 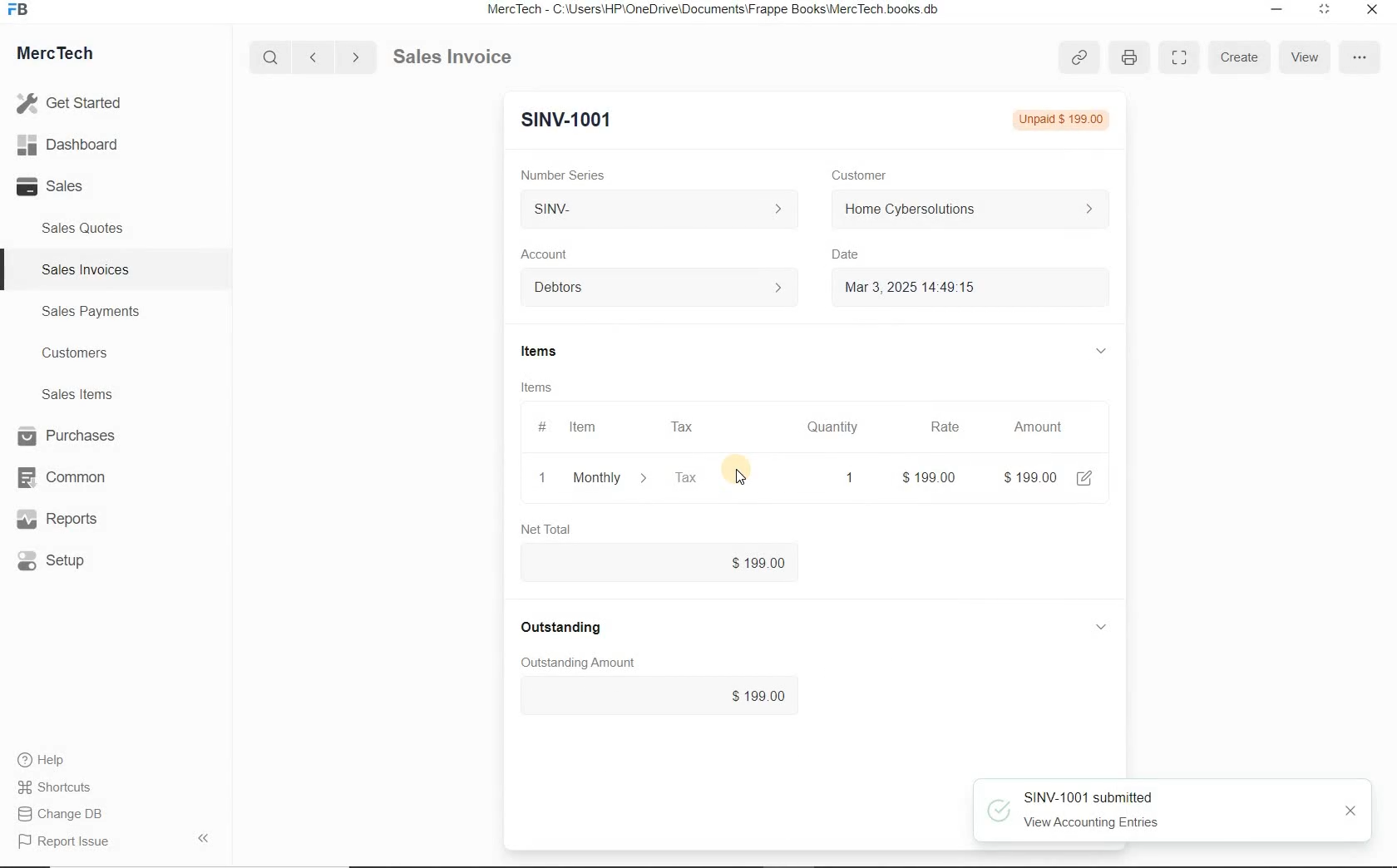 What do you see at coordinates (1063, 118) in the screenshot?
I see `Not submitted` at bounding box center [1063, 118].